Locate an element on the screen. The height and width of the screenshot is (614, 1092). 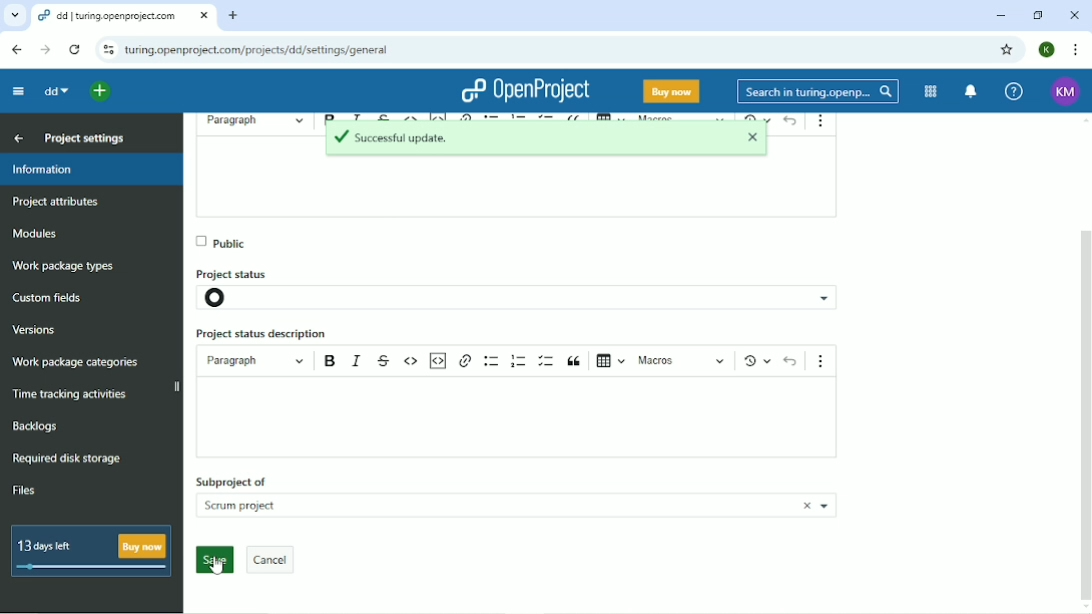
numbered list is located at coordinates (519, 359).